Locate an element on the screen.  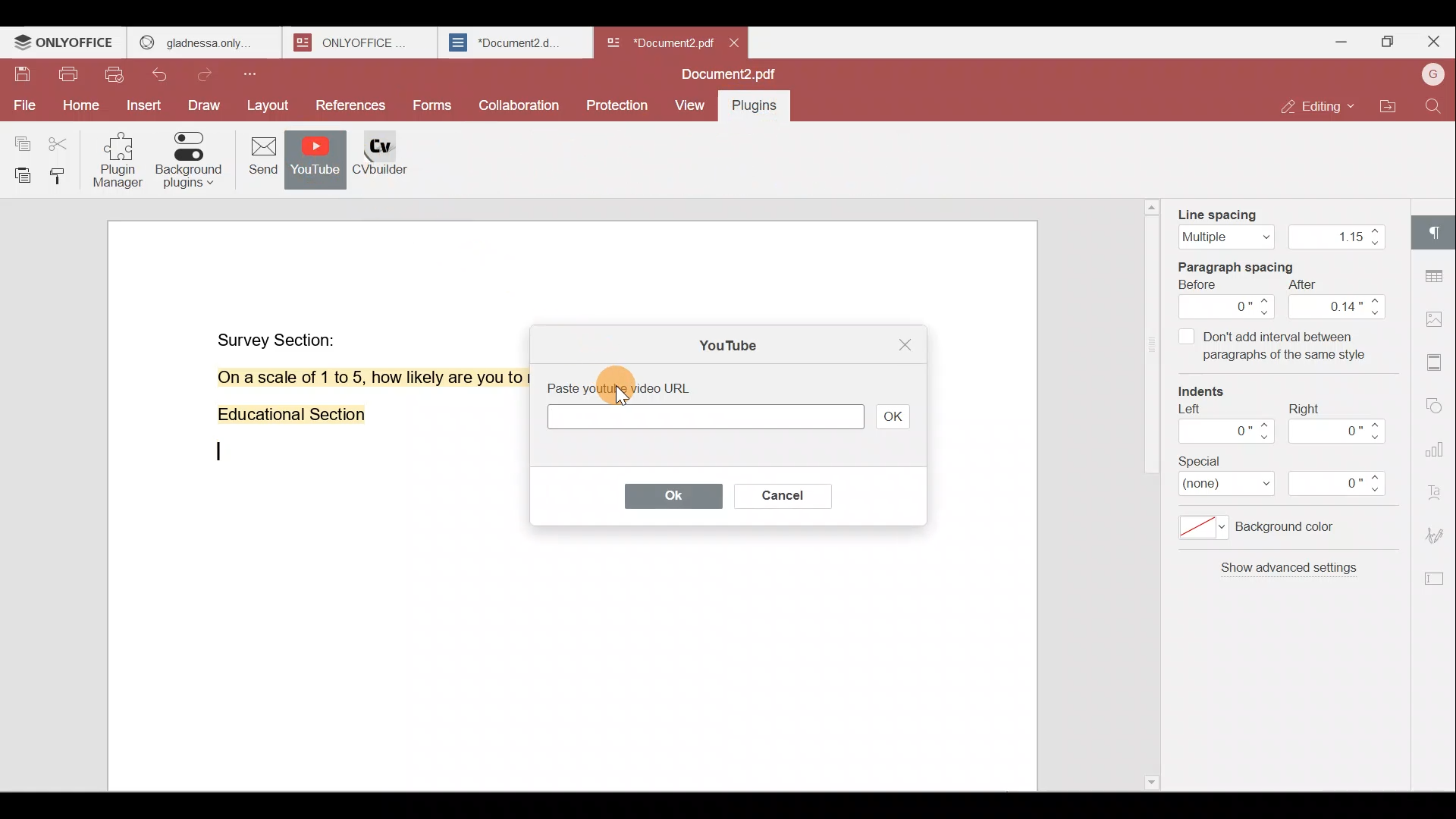
Background plugins is located at coordinates (188, 160).